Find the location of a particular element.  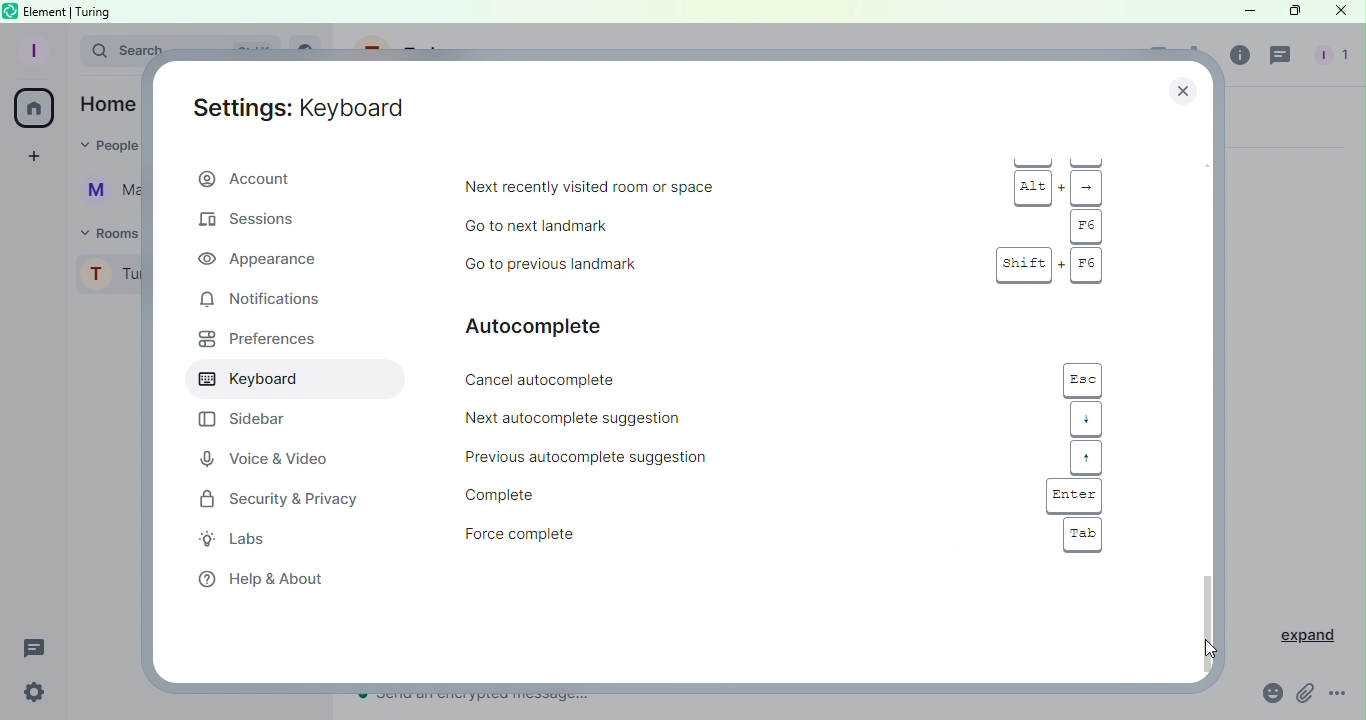

Previous autocomplete suggestions is located at coordinates (608, 458).